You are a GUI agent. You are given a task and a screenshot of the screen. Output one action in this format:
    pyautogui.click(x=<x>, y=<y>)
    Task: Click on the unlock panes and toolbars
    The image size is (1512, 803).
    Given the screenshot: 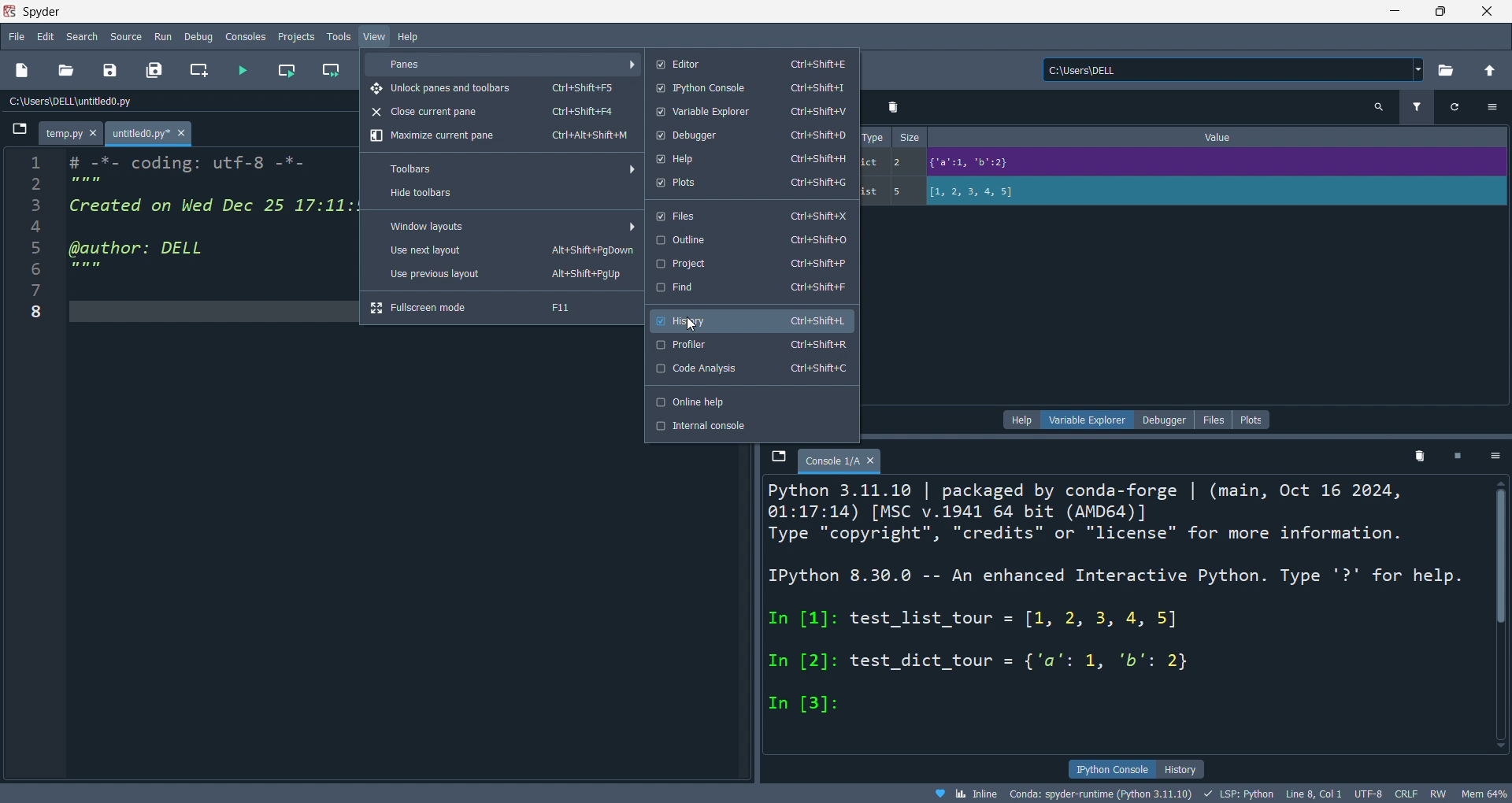 What is the action you would take?
    pyautogui.click(x=502, y=88)
    